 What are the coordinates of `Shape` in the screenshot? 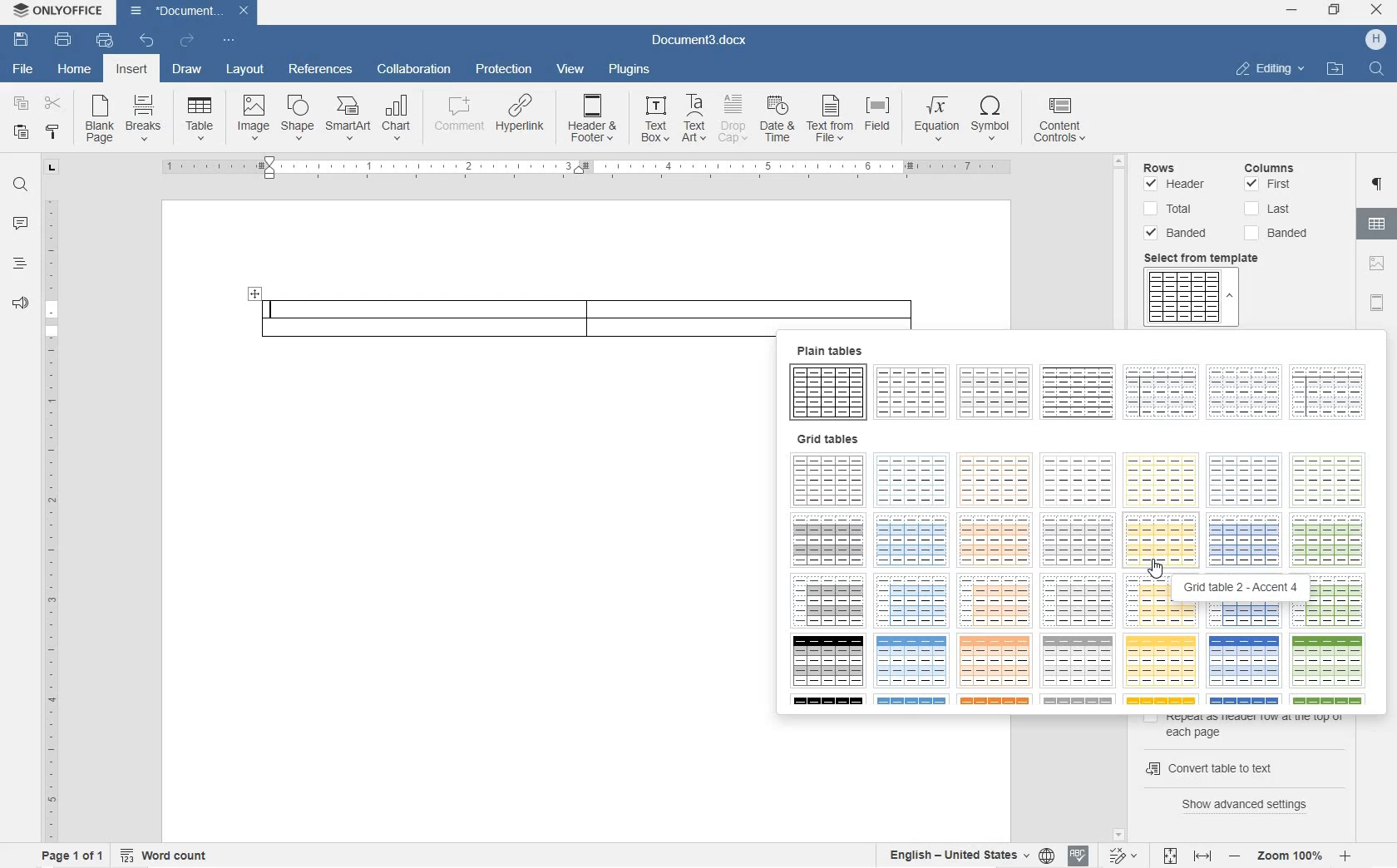 It's located at (297, 117).